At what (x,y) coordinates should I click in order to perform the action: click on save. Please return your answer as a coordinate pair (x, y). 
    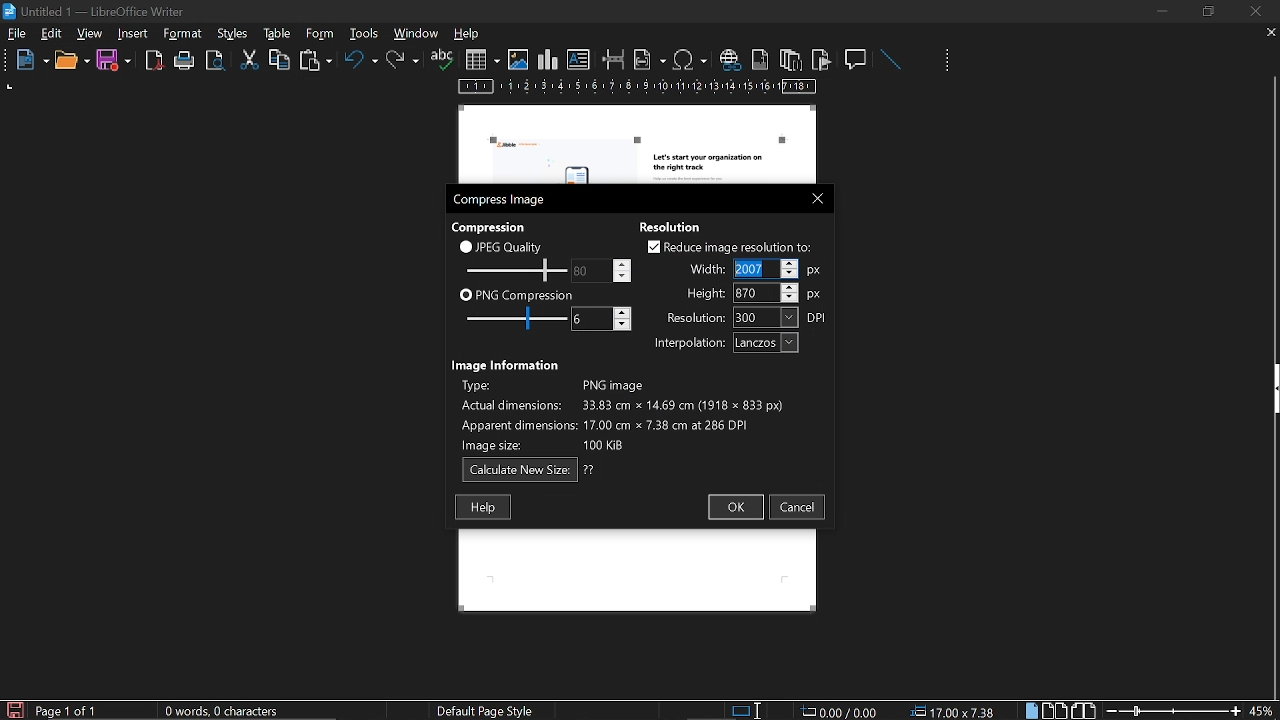
    Looking at the image, I should click on (114, 61).